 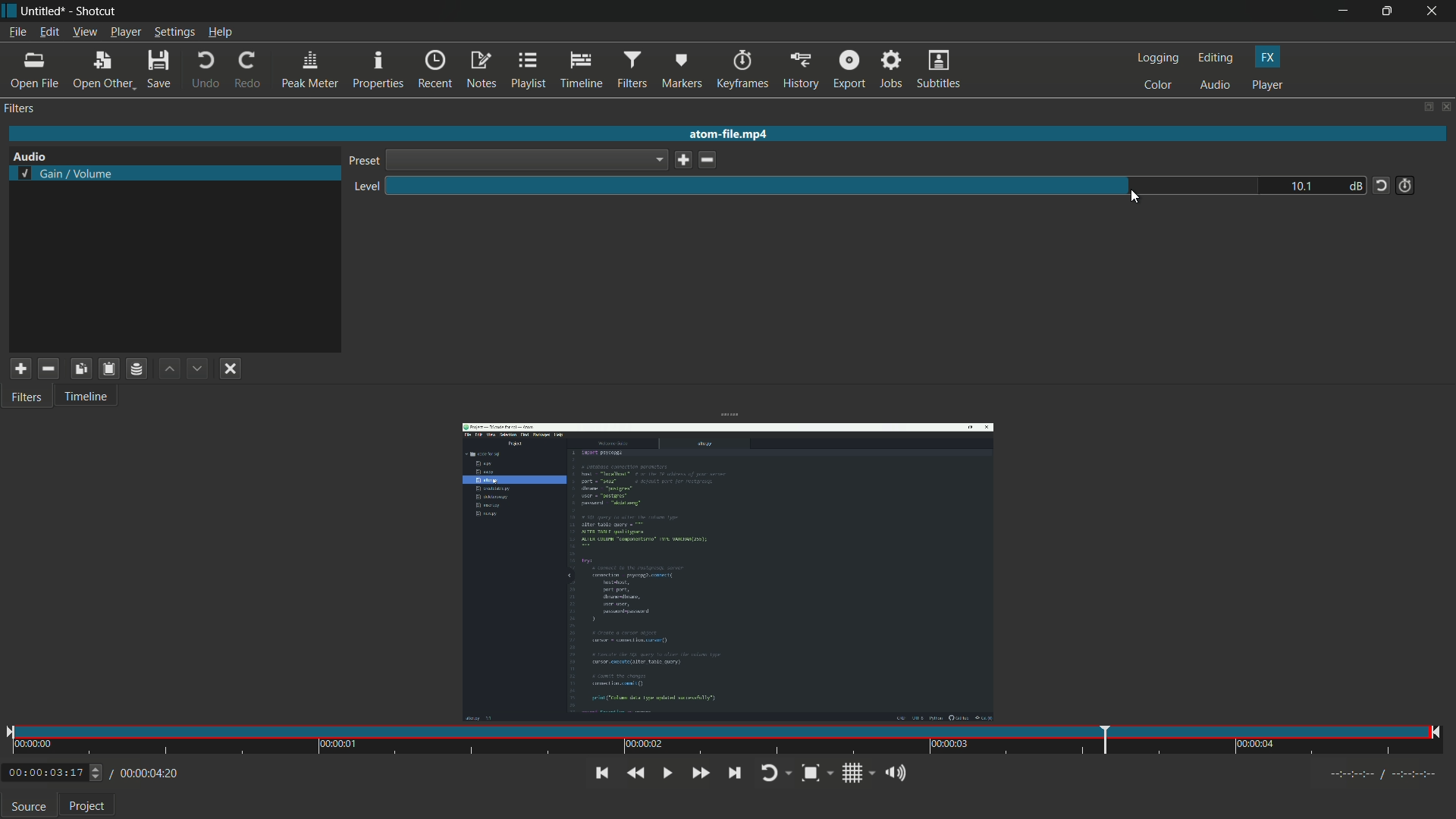 I want to click on edit menu, so click(x=49, y=33).